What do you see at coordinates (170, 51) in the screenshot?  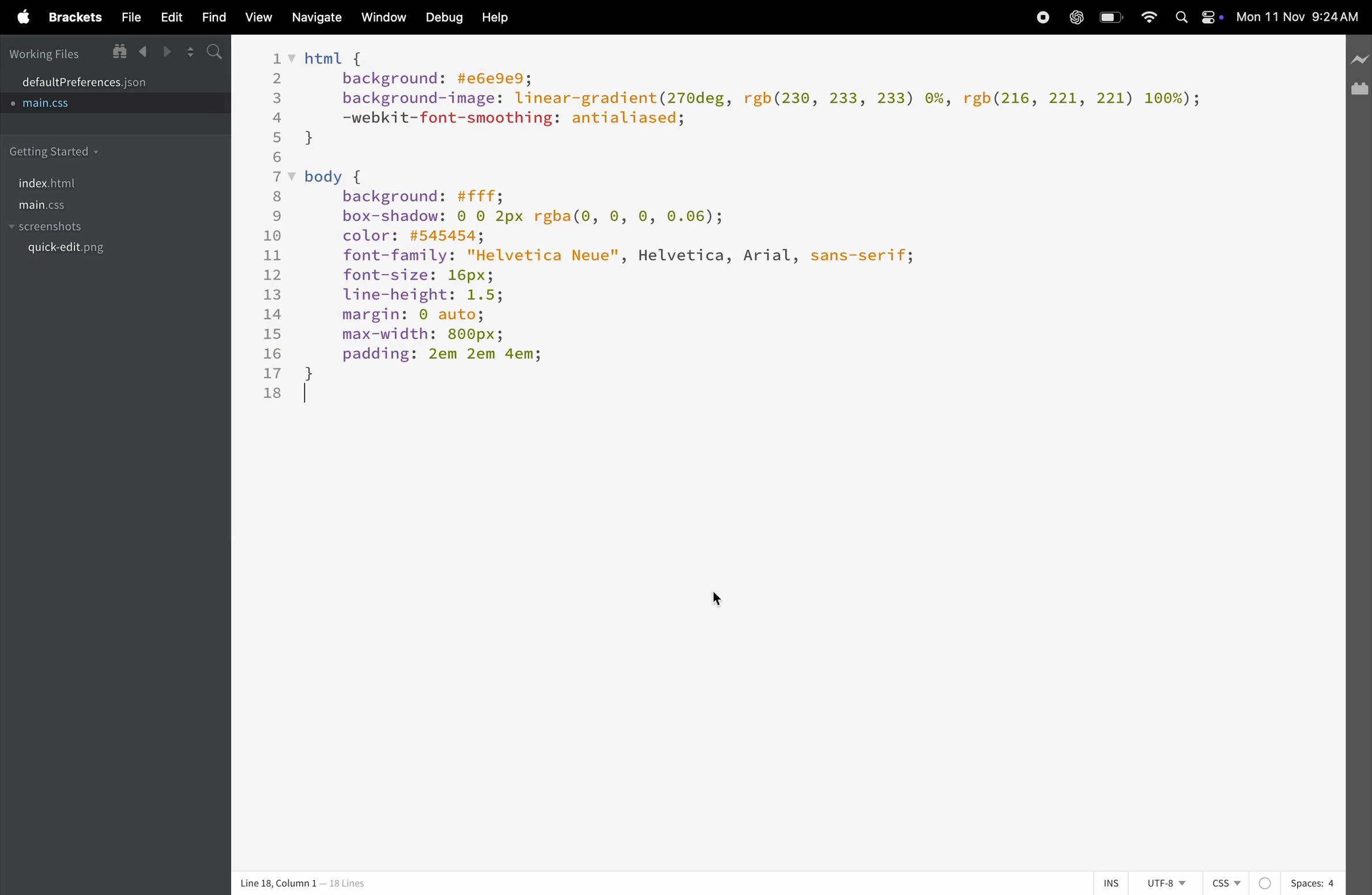 I see `forward` at bounding box center [170, 51].